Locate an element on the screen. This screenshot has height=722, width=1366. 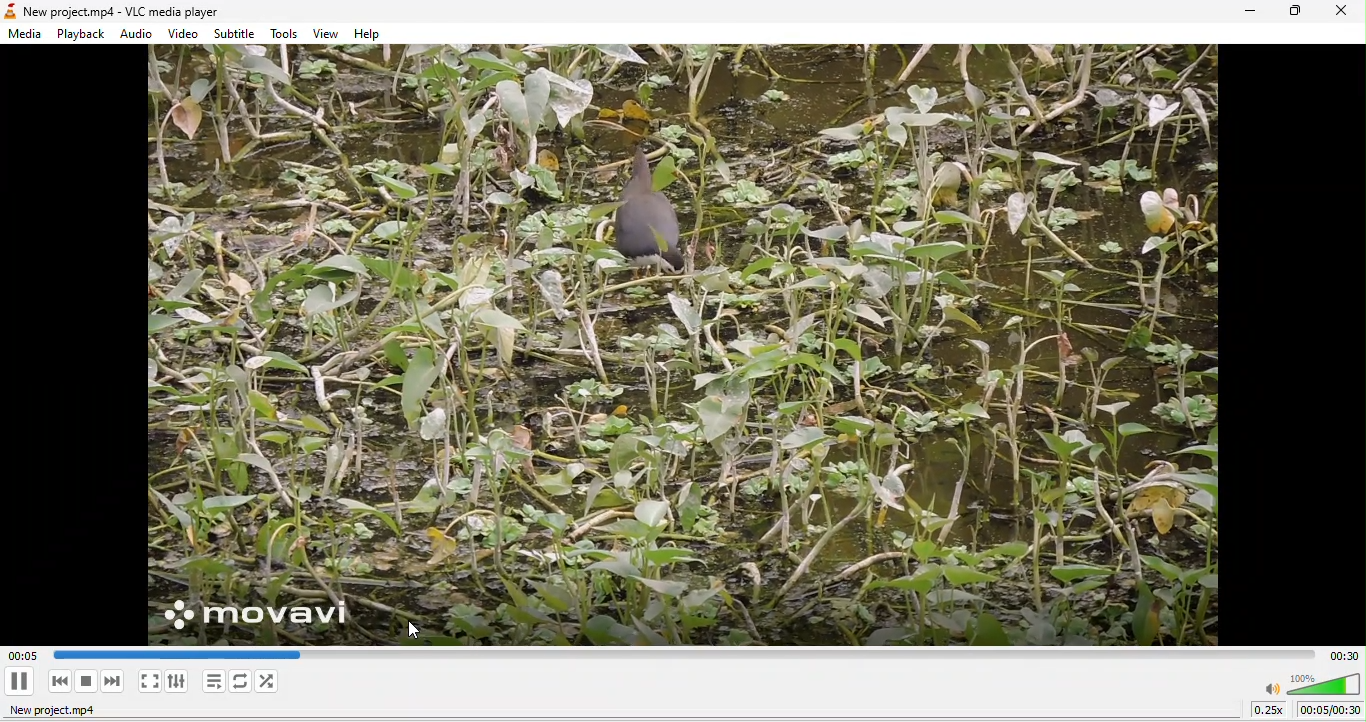
random is located at coordinates (274, 683).